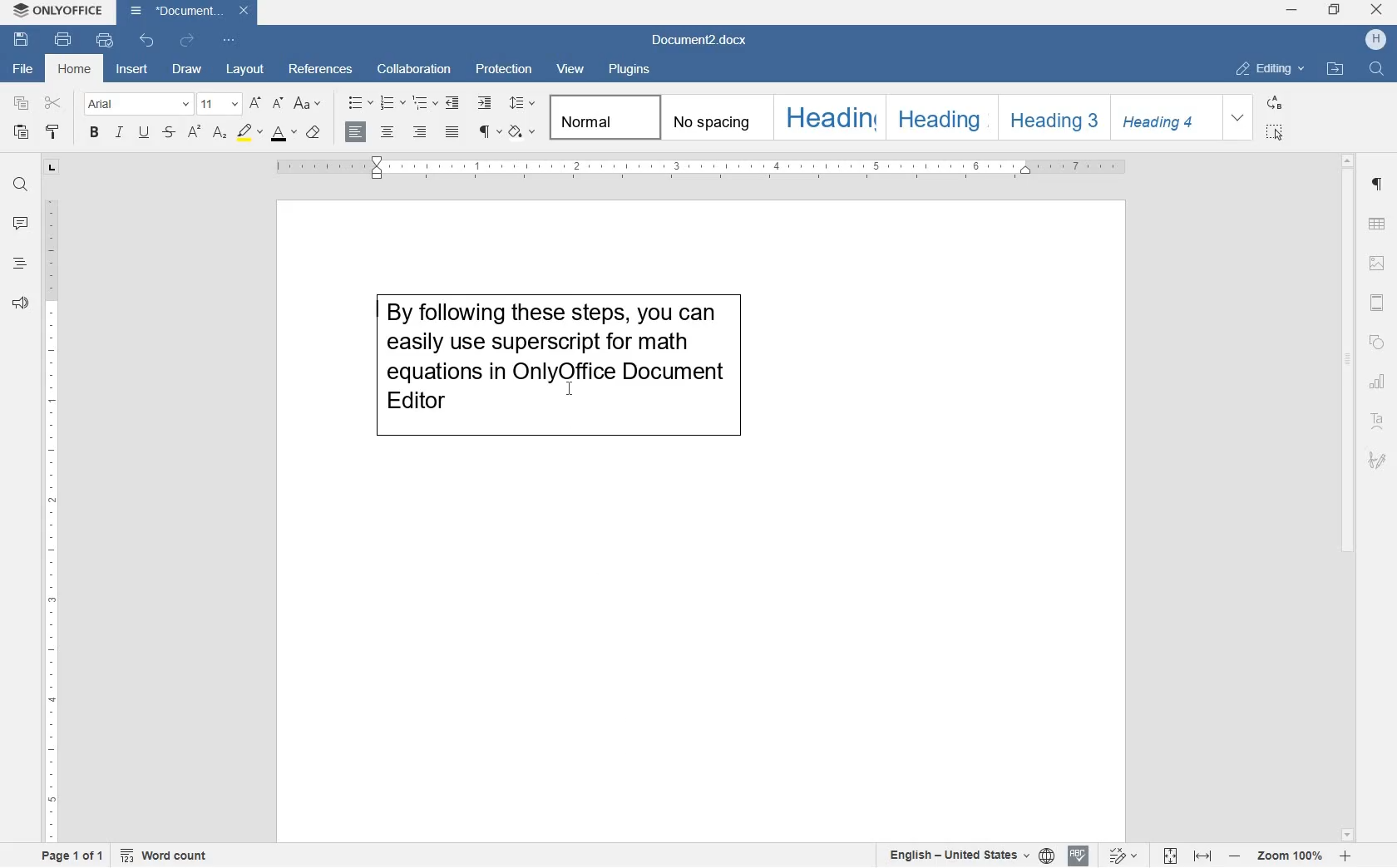 The image size is (1397, 868). What do you see at coordinates (713, 117) in the screenshot?
I see `No spacing` at bounding box center [713, 117].